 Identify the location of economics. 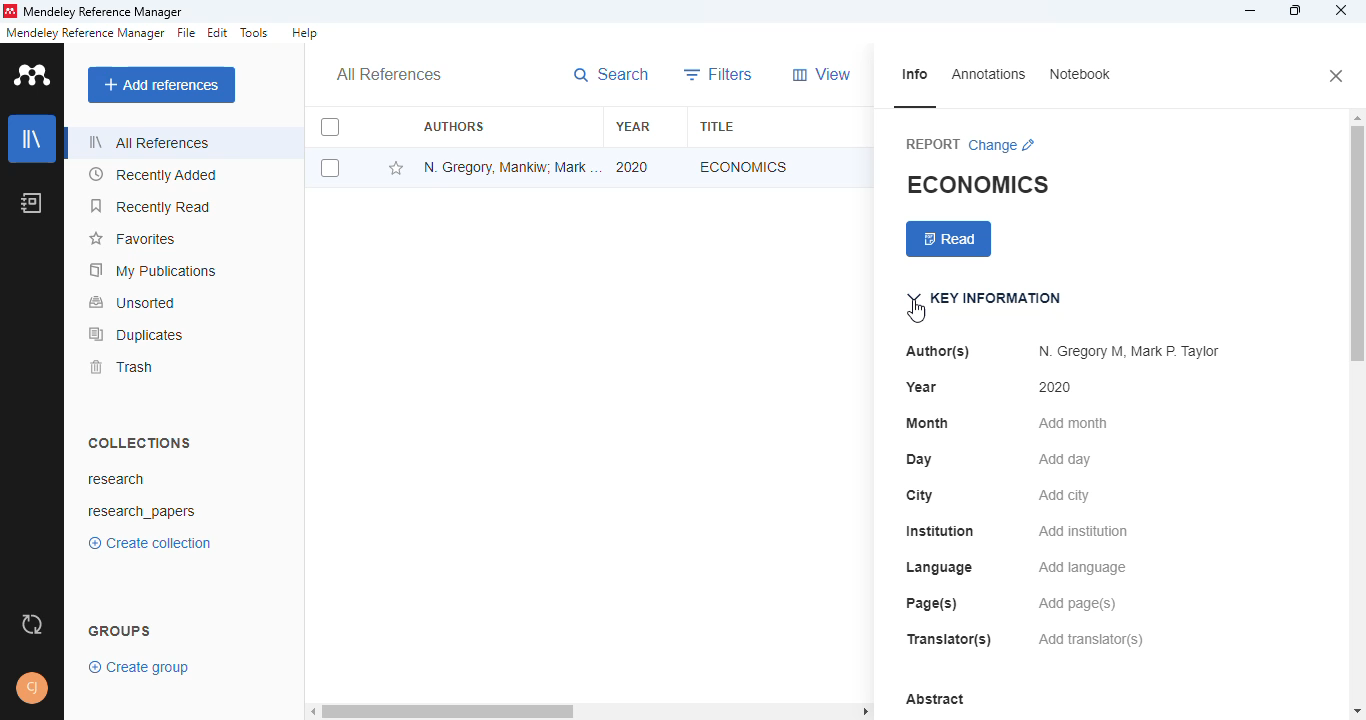
(980, 183).